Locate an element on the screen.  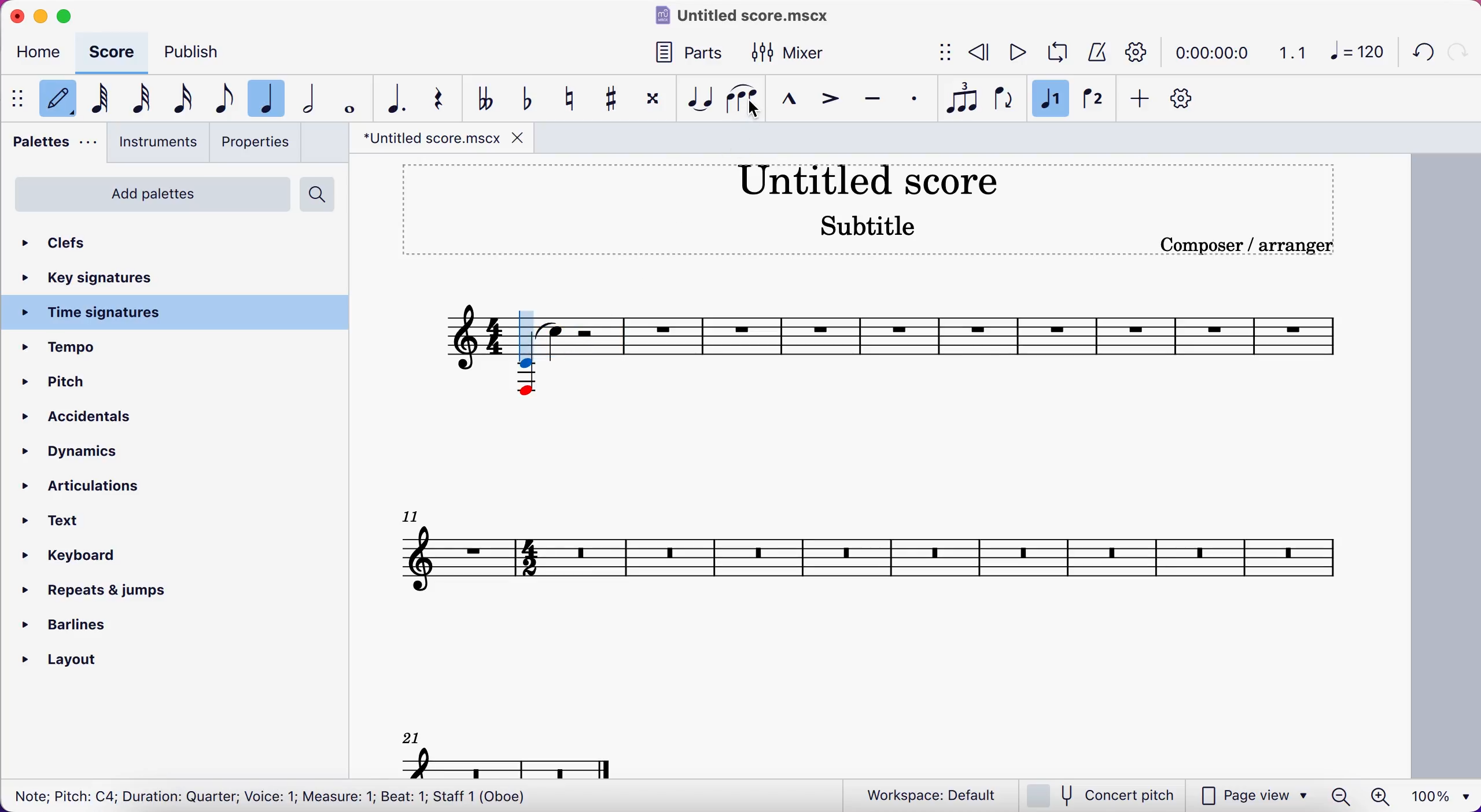
instruments is located at coordinates (159, 145).